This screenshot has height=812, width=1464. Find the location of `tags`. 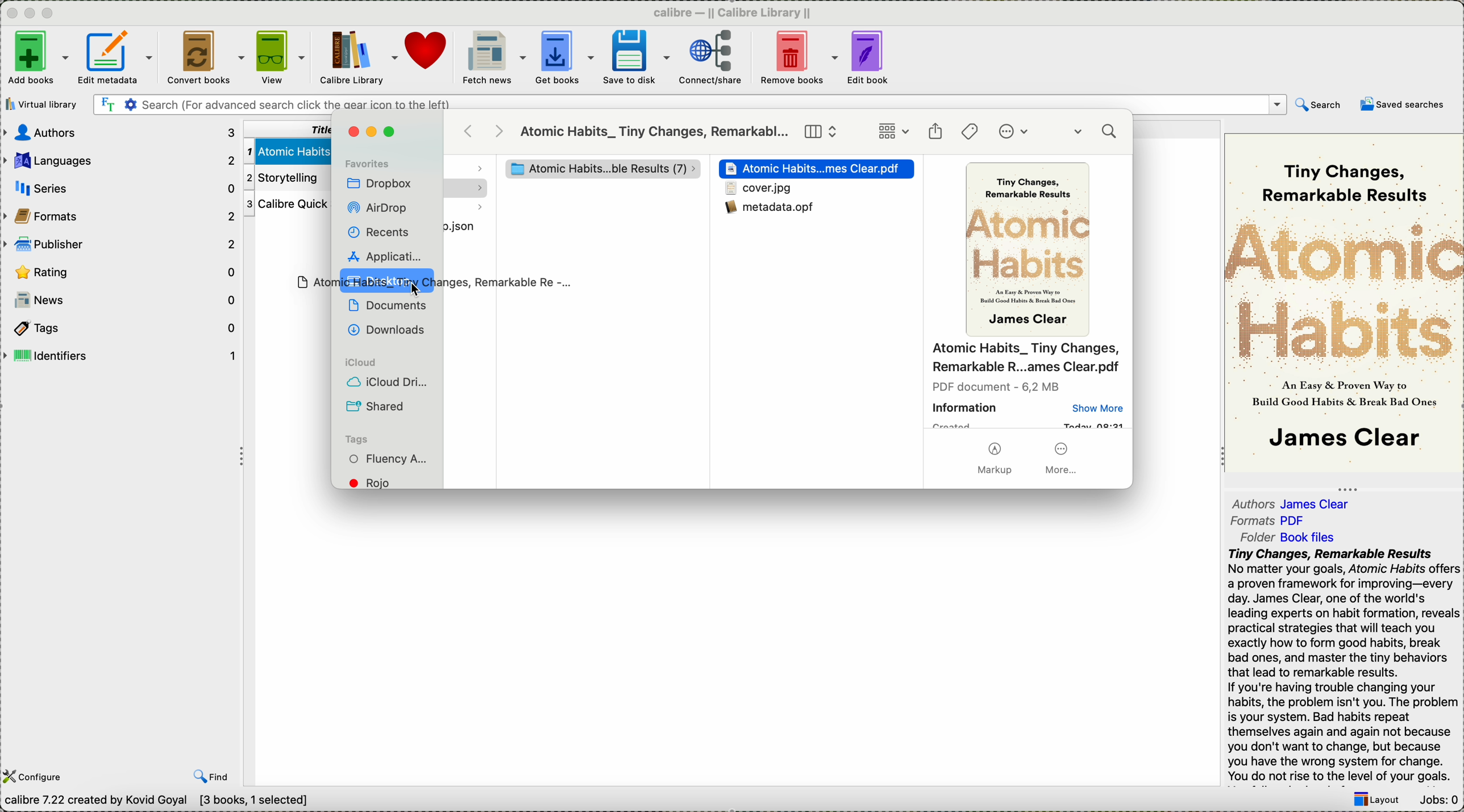

tags is located at coordinates (119, 327).